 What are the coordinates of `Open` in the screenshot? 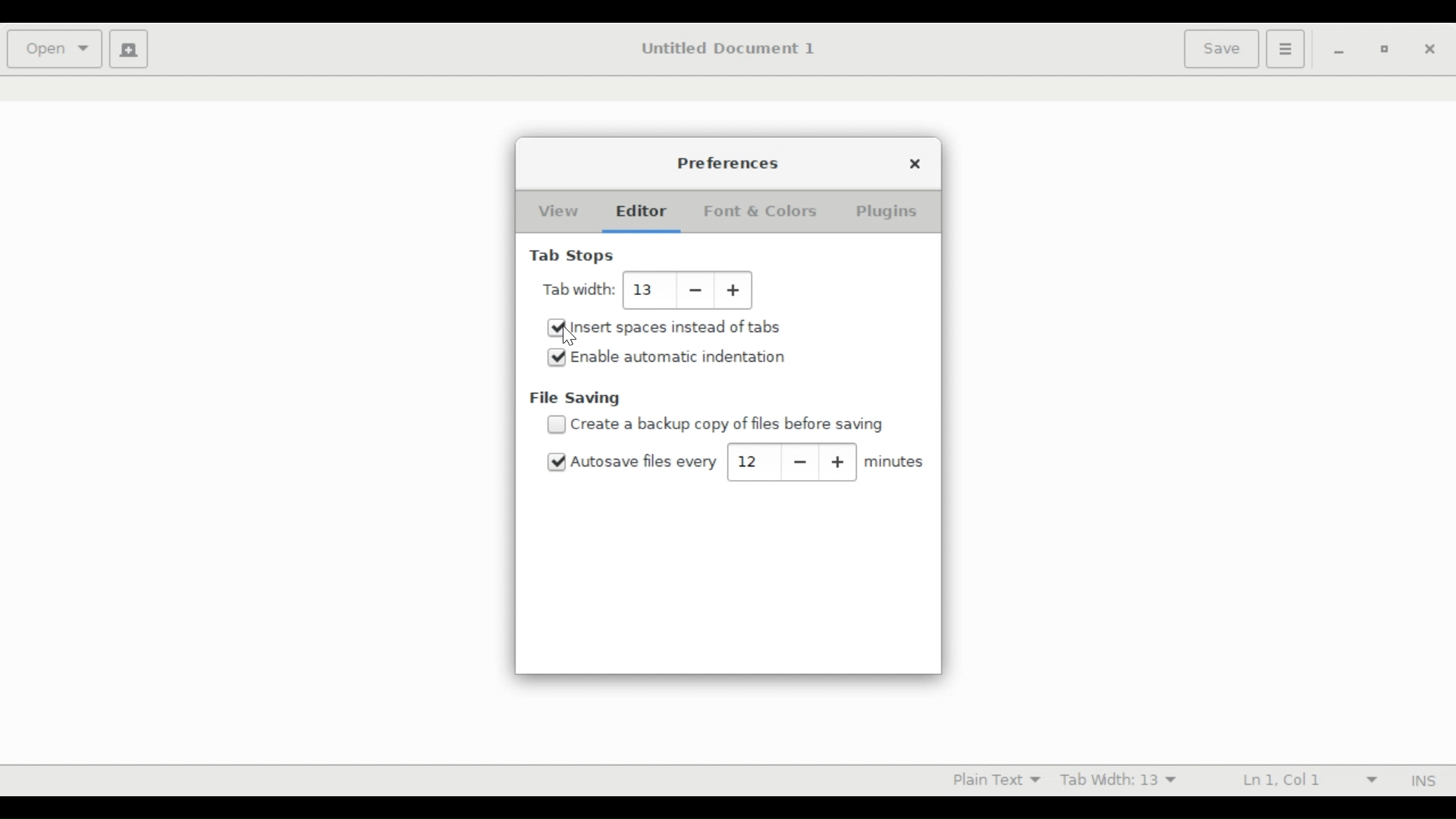 It's located at (54, 47).